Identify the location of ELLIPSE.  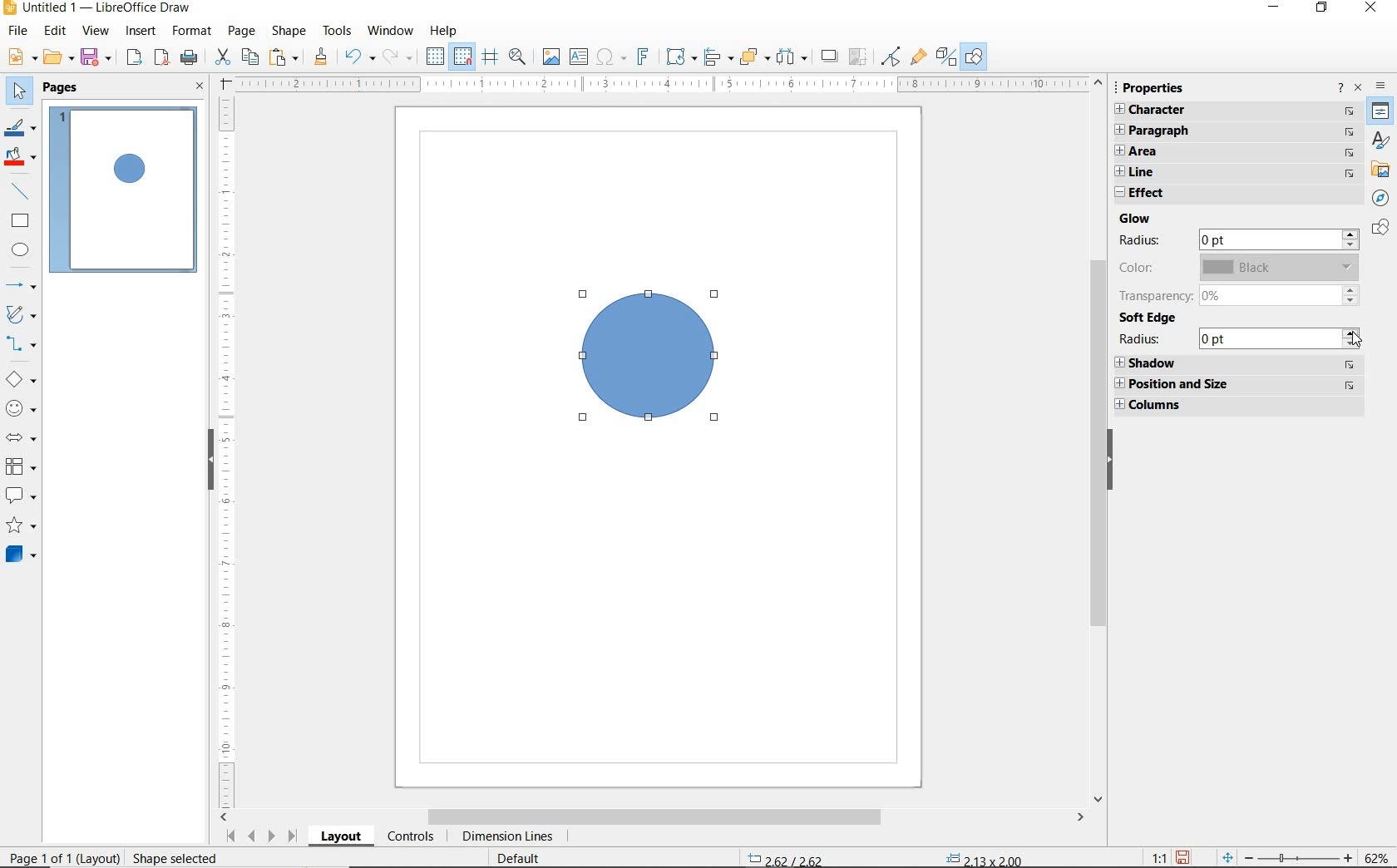
(22, 252).